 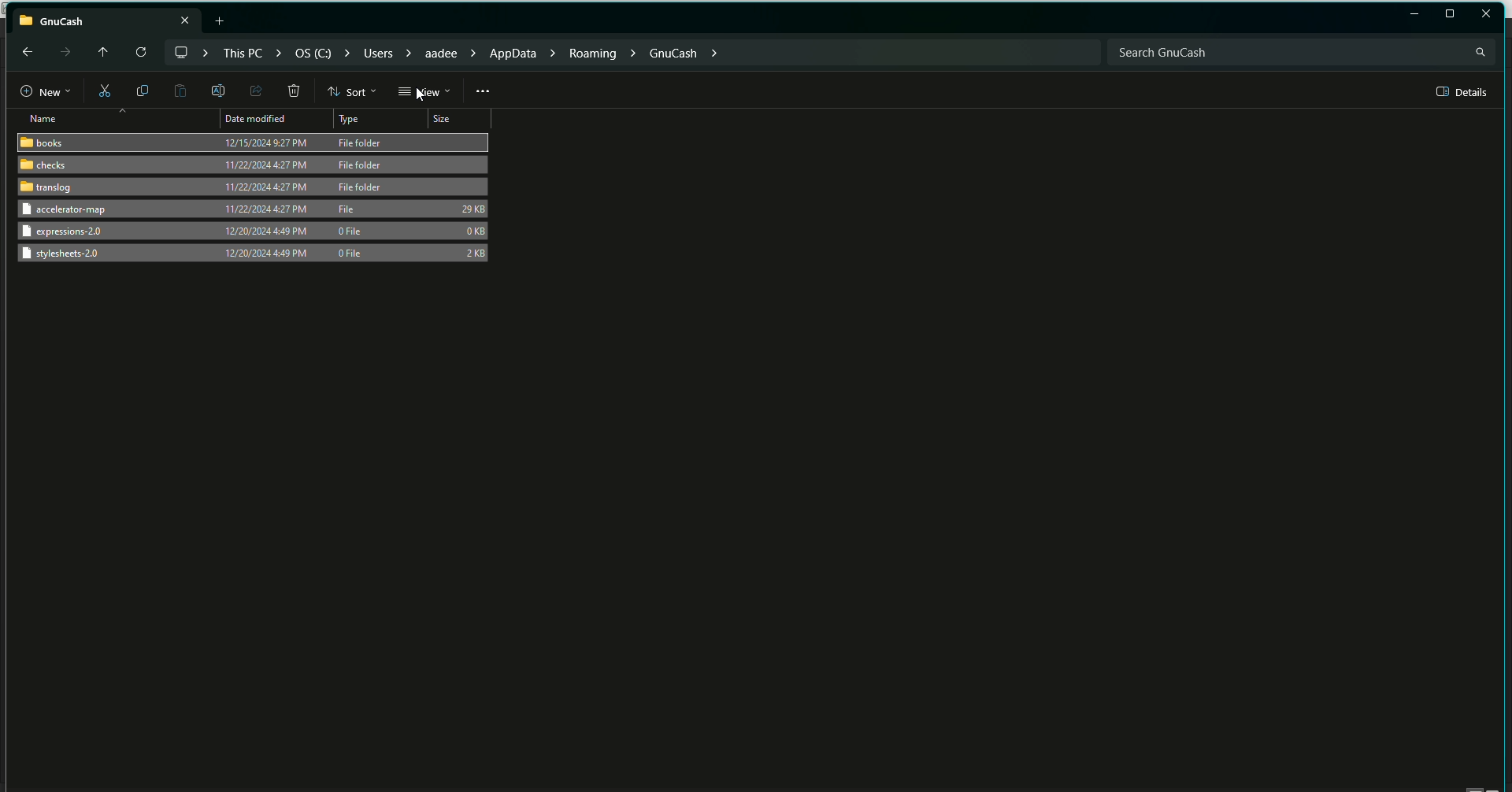 What do you see at coordinates (254, 90) in the screenshot?
I see `Share` at bounding box center [254, 90].